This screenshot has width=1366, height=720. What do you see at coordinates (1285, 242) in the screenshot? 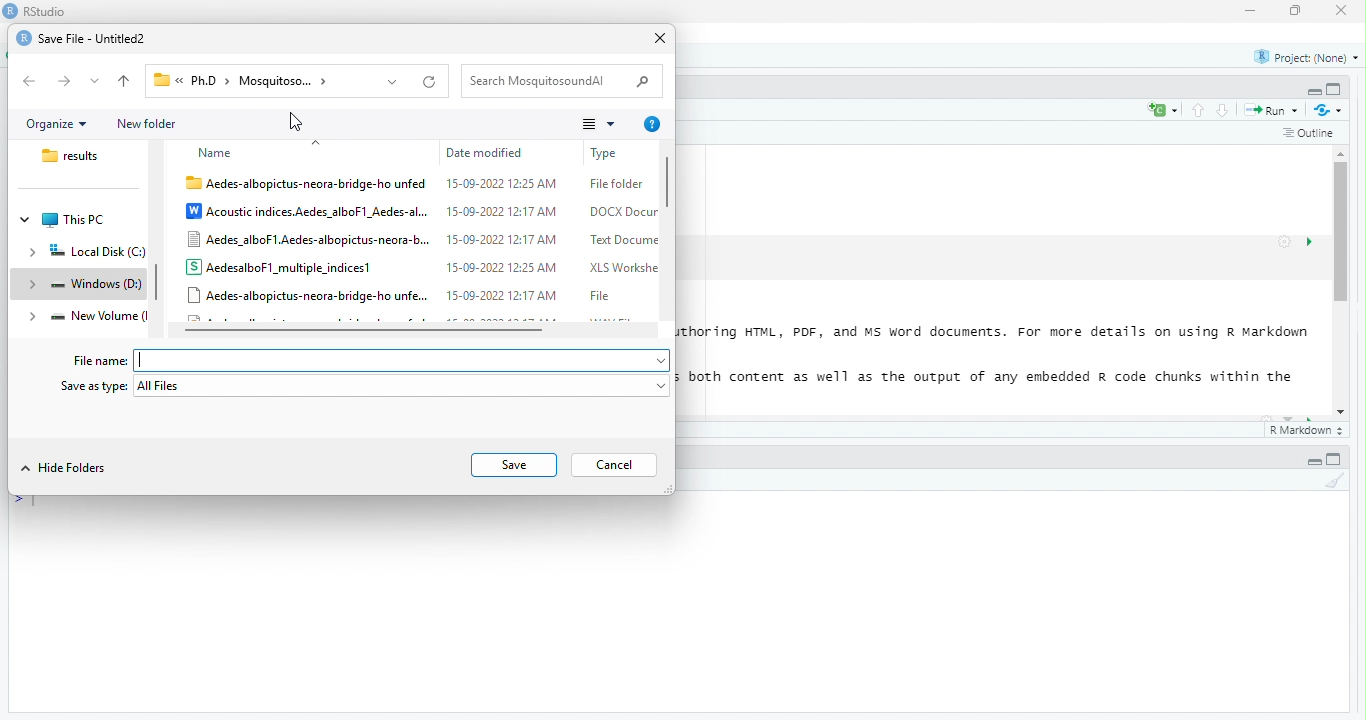
I see `Settings` at bounding box center [1285, 242].